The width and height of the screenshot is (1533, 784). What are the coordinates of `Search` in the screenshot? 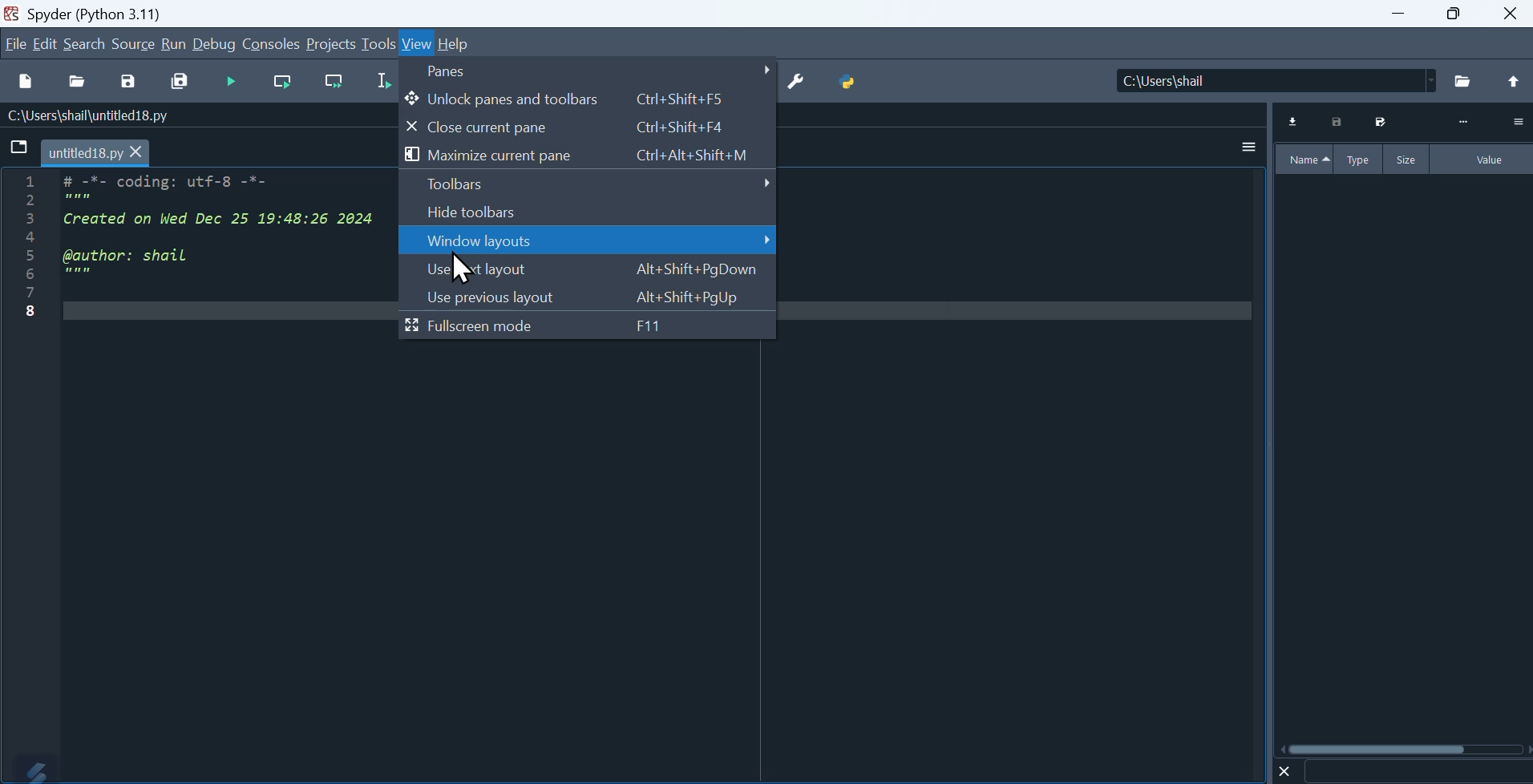 It's located at (85, 44).